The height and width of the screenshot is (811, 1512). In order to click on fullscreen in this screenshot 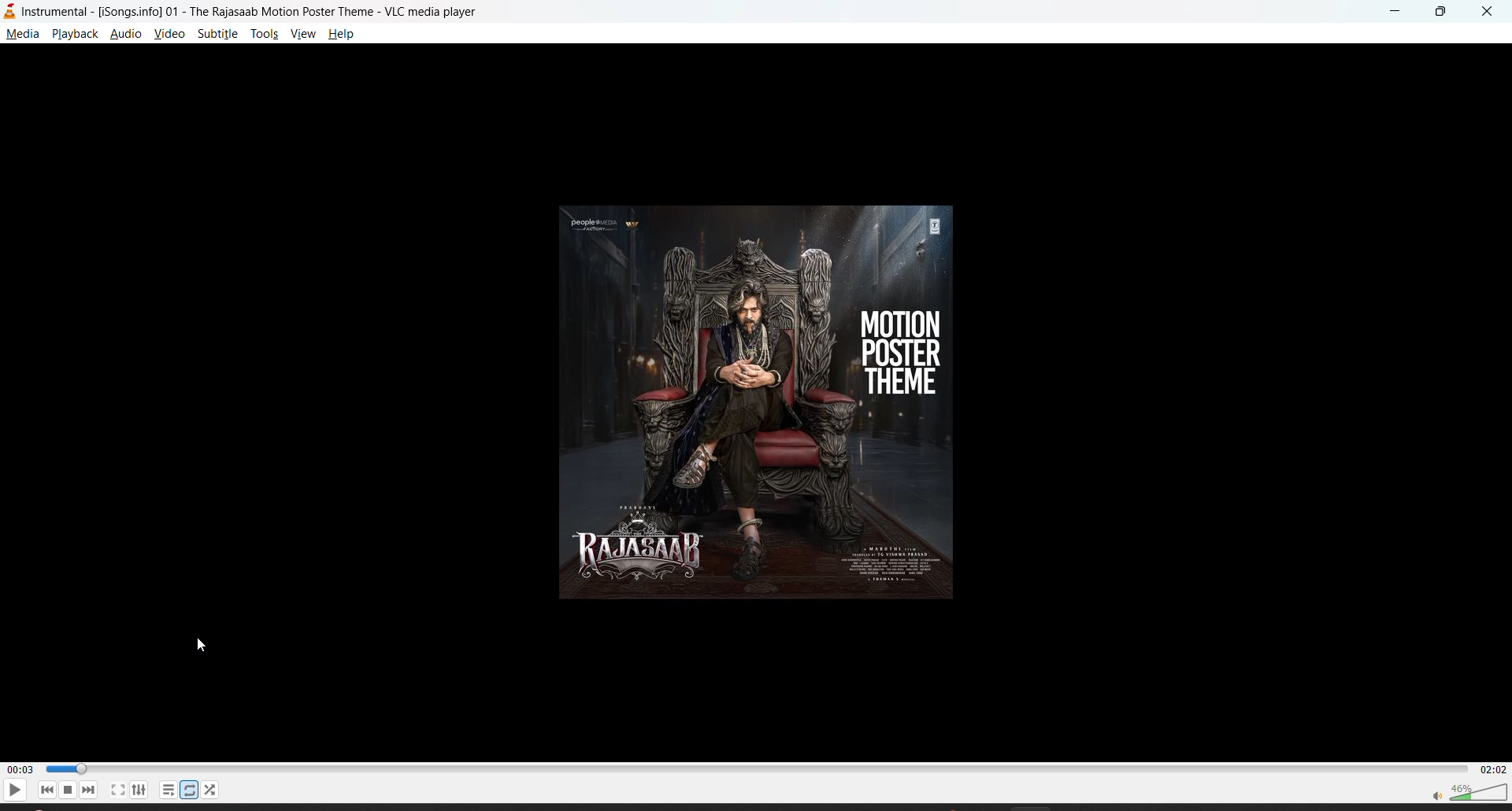, I will do `click(118, 791)`.